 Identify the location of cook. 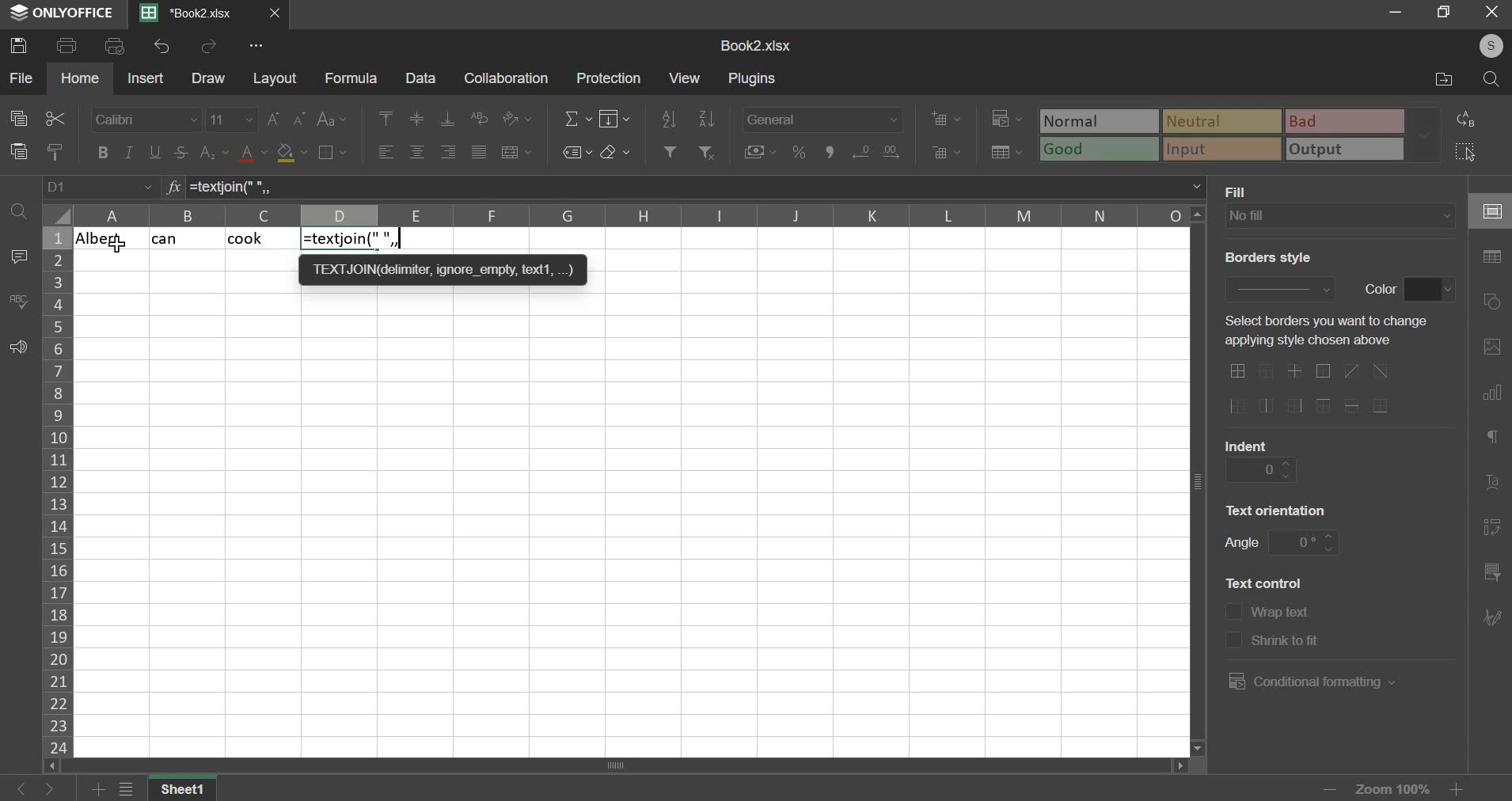
(262, 238).